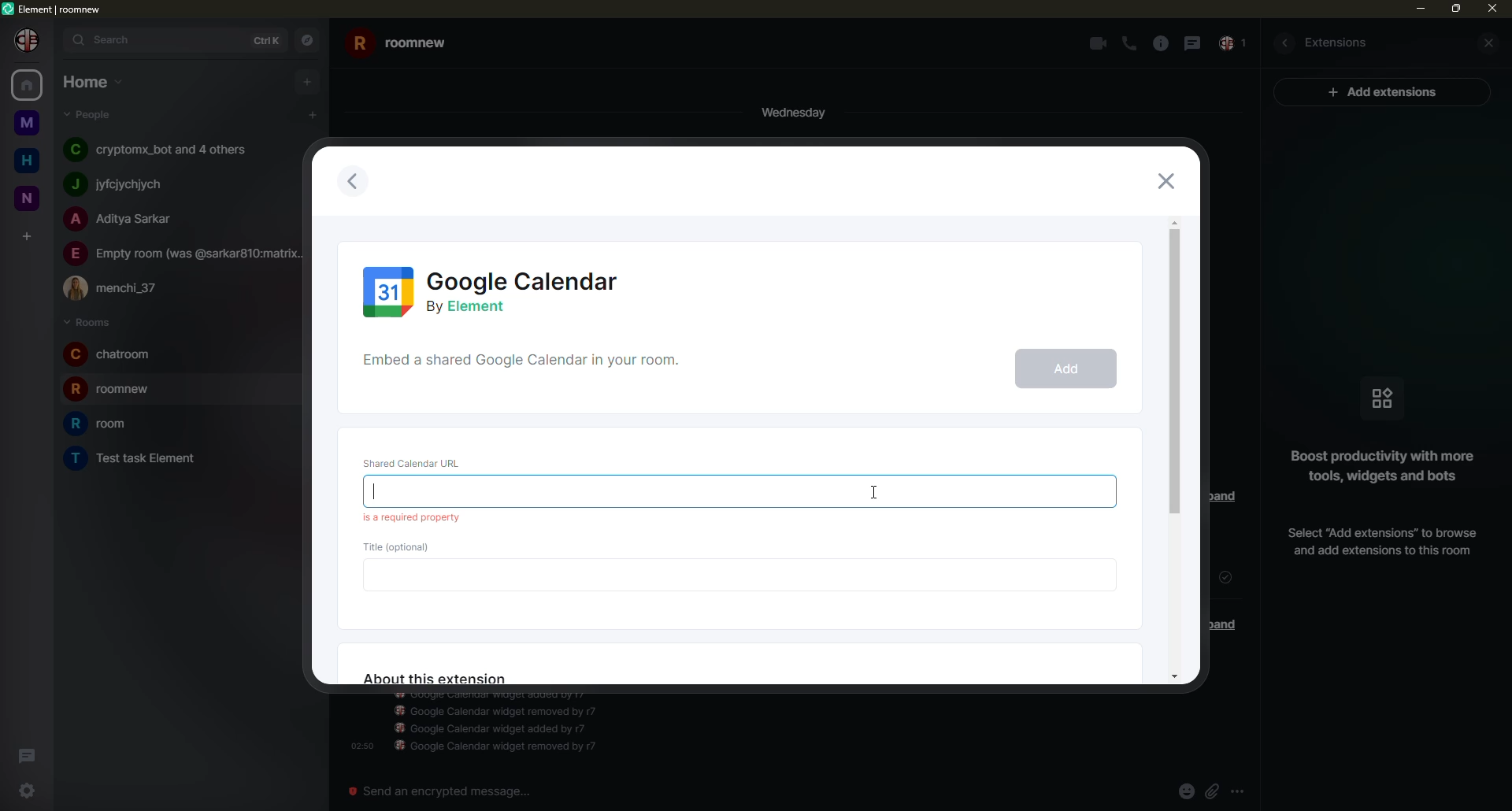 The height and width of the screenshot is (811, 1512). What do you see at coordinates (118, 287) in the screenshot?
I see `people` at bounding box center [118, 287].